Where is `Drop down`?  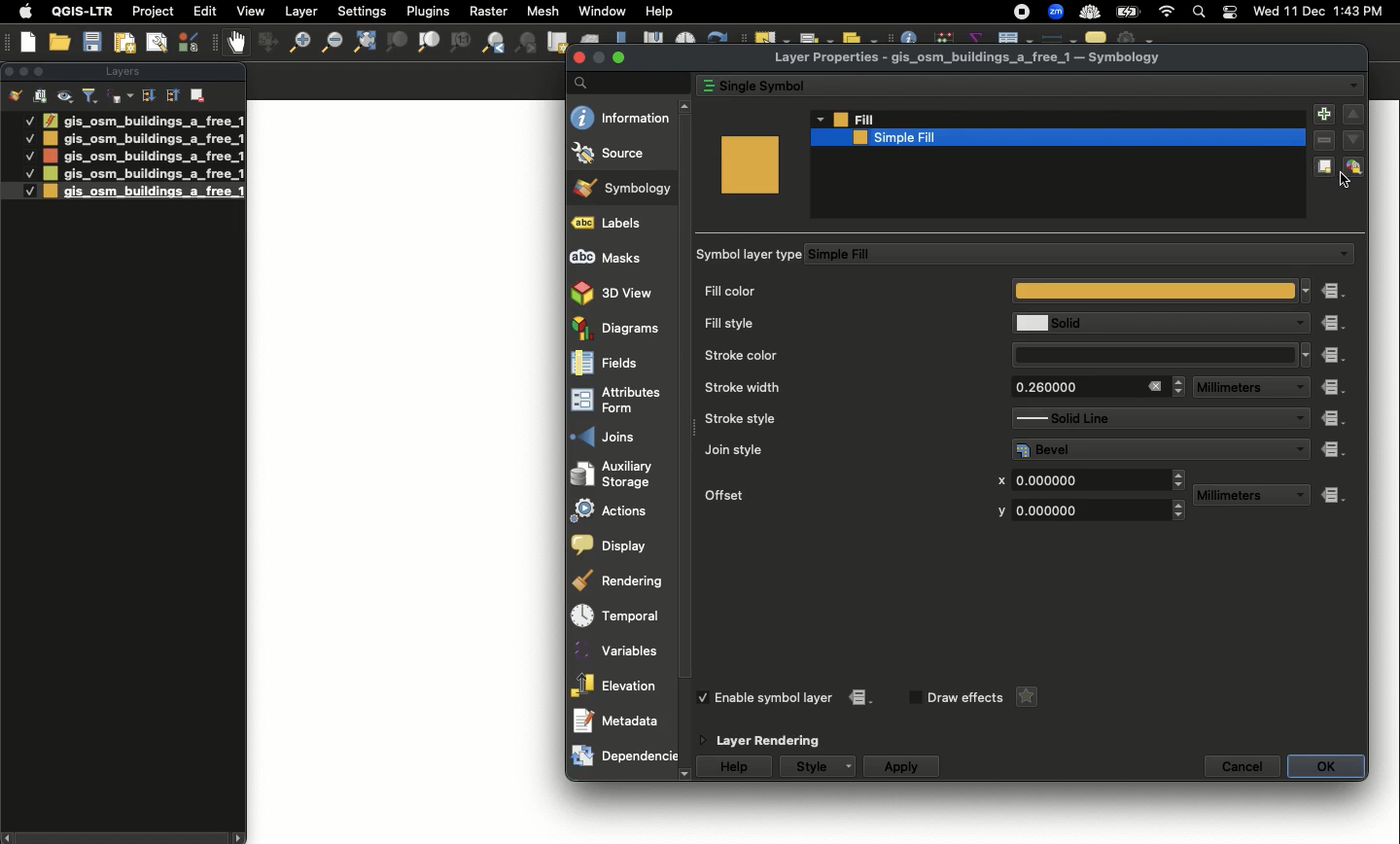
Drop down is located at coordinates (1180, 479).